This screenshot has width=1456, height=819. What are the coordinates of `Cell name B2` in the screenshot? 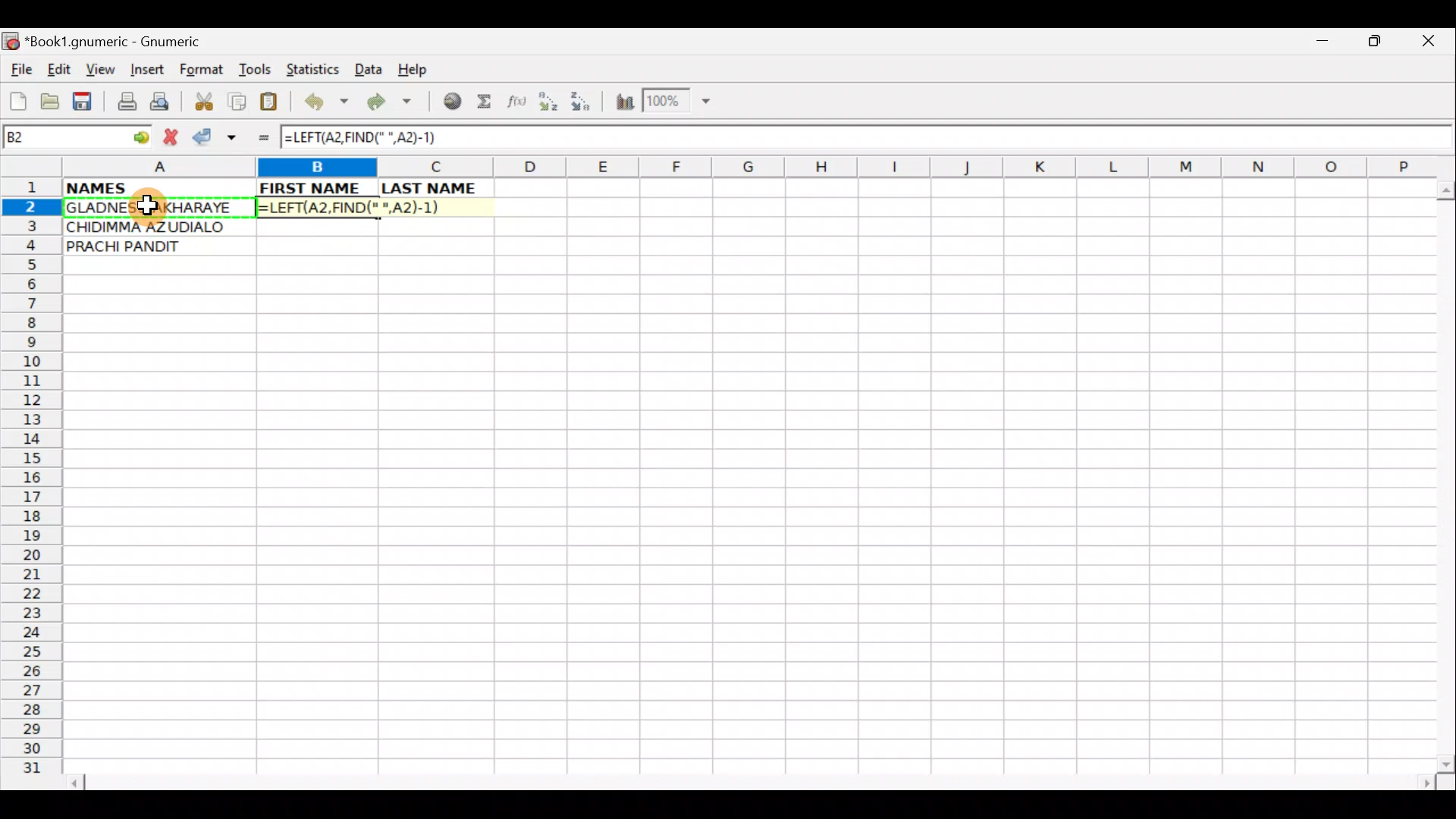 It's located at (61, 138).